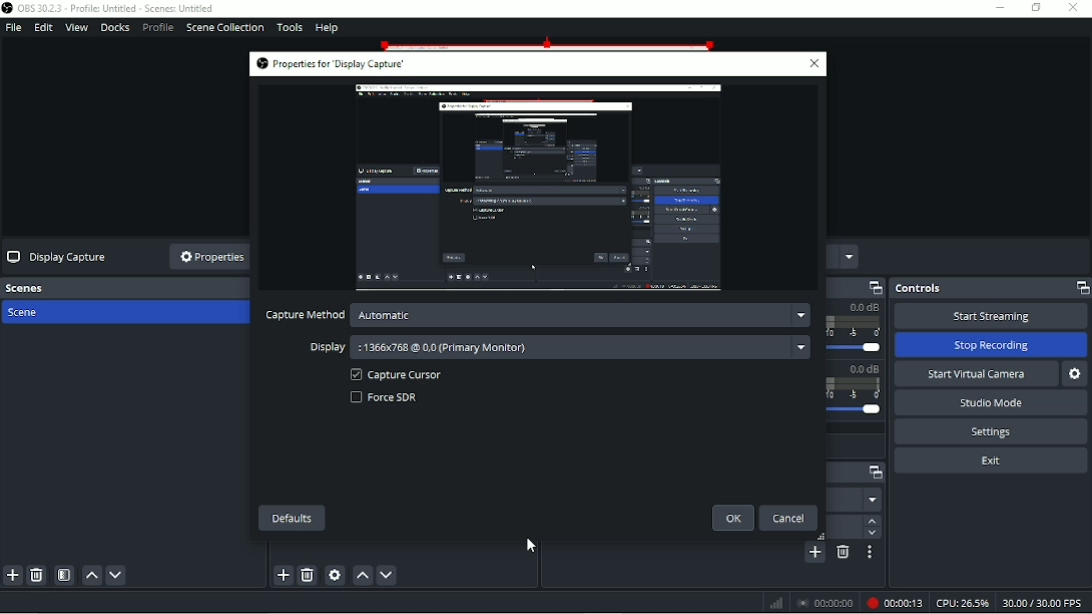 The height and width of the screenshot is (614, 1092). What do you see at coordinates (1076, 374) in the screenshot?
I see `Configure virtual camera` at bounding box center [1076, 374].